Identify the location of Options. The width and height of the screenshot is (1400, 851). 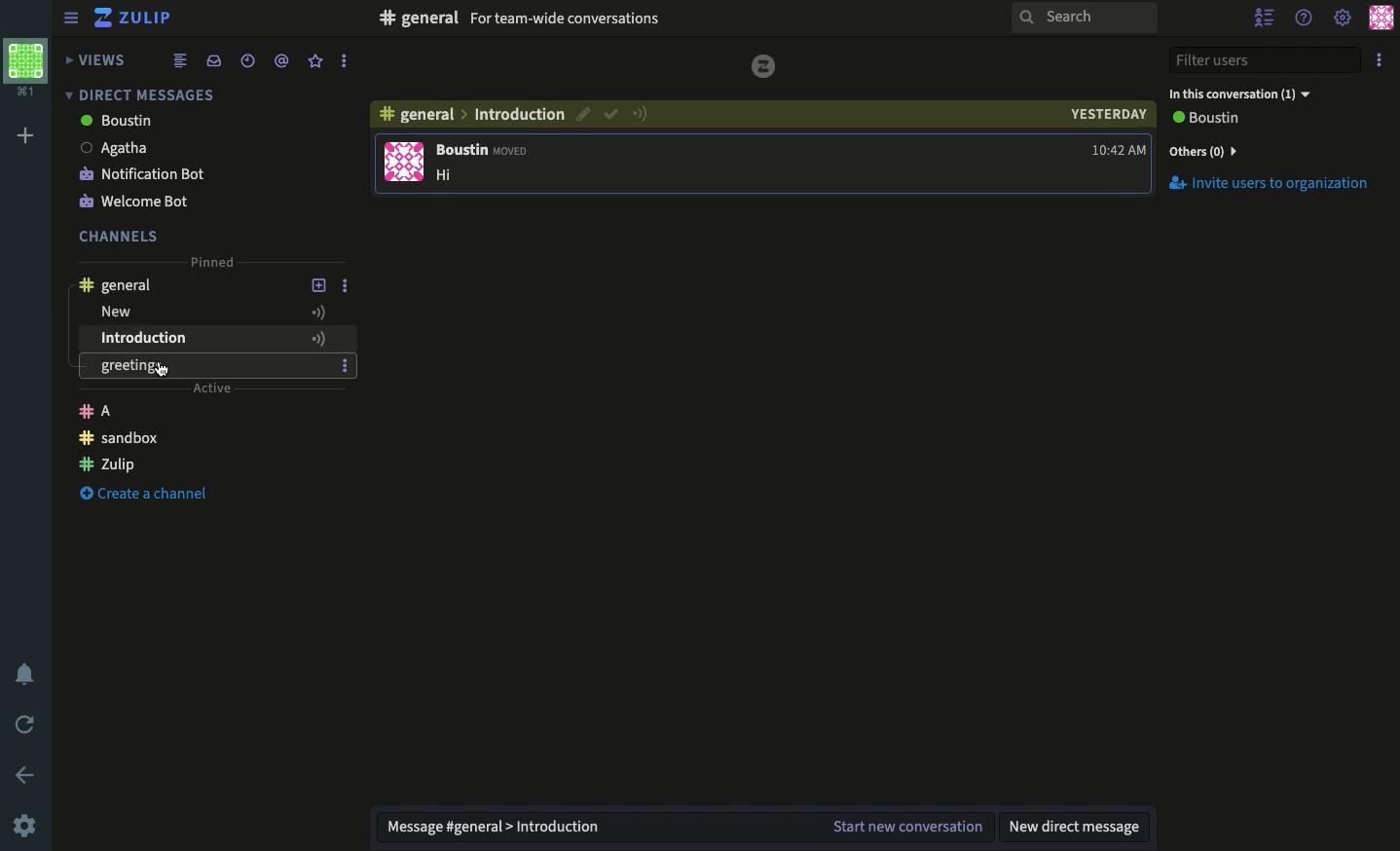
(345, 340).